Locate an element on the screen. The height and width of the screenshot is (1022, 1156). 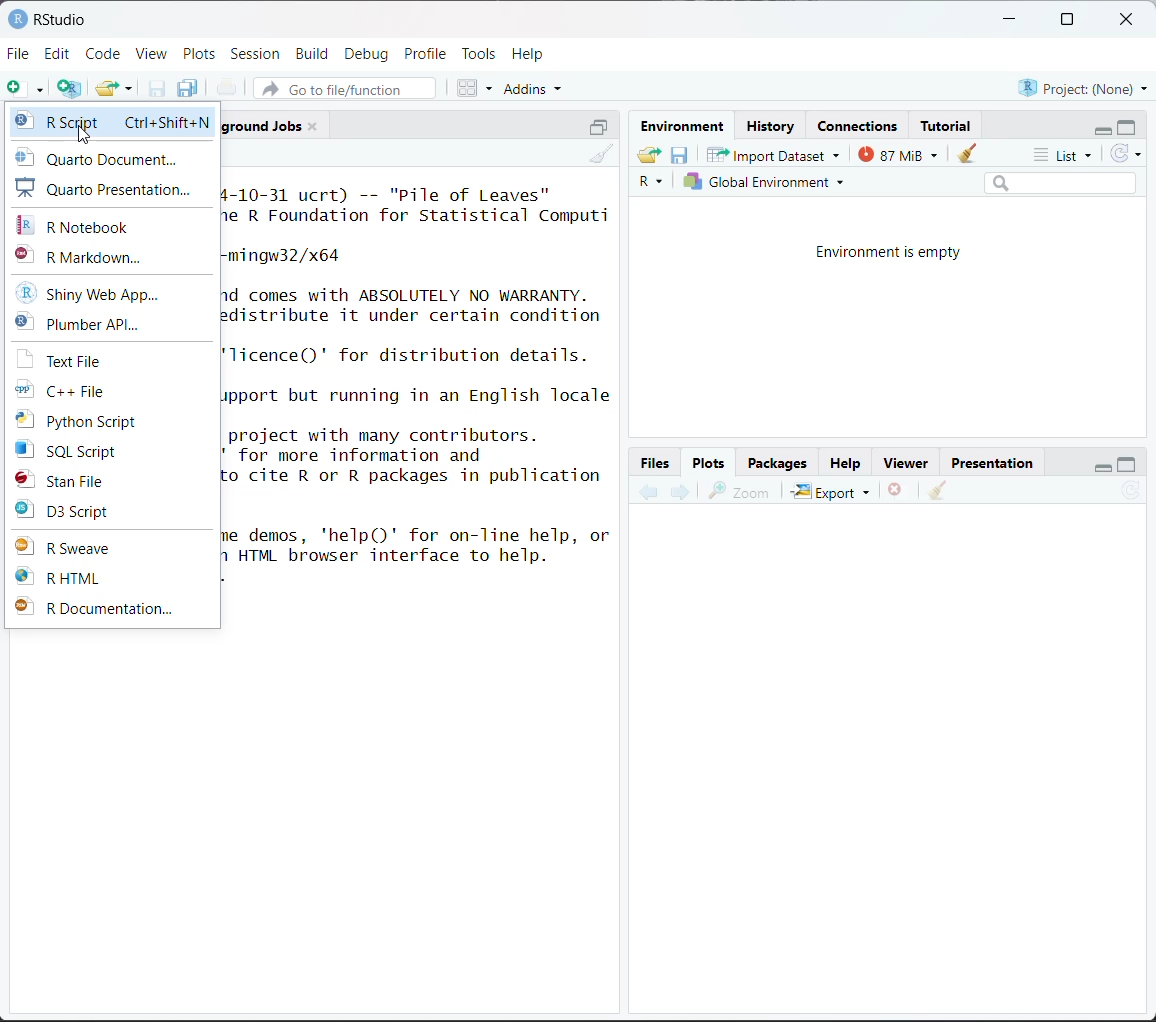
print the current file is located at coordinates (228, 88).